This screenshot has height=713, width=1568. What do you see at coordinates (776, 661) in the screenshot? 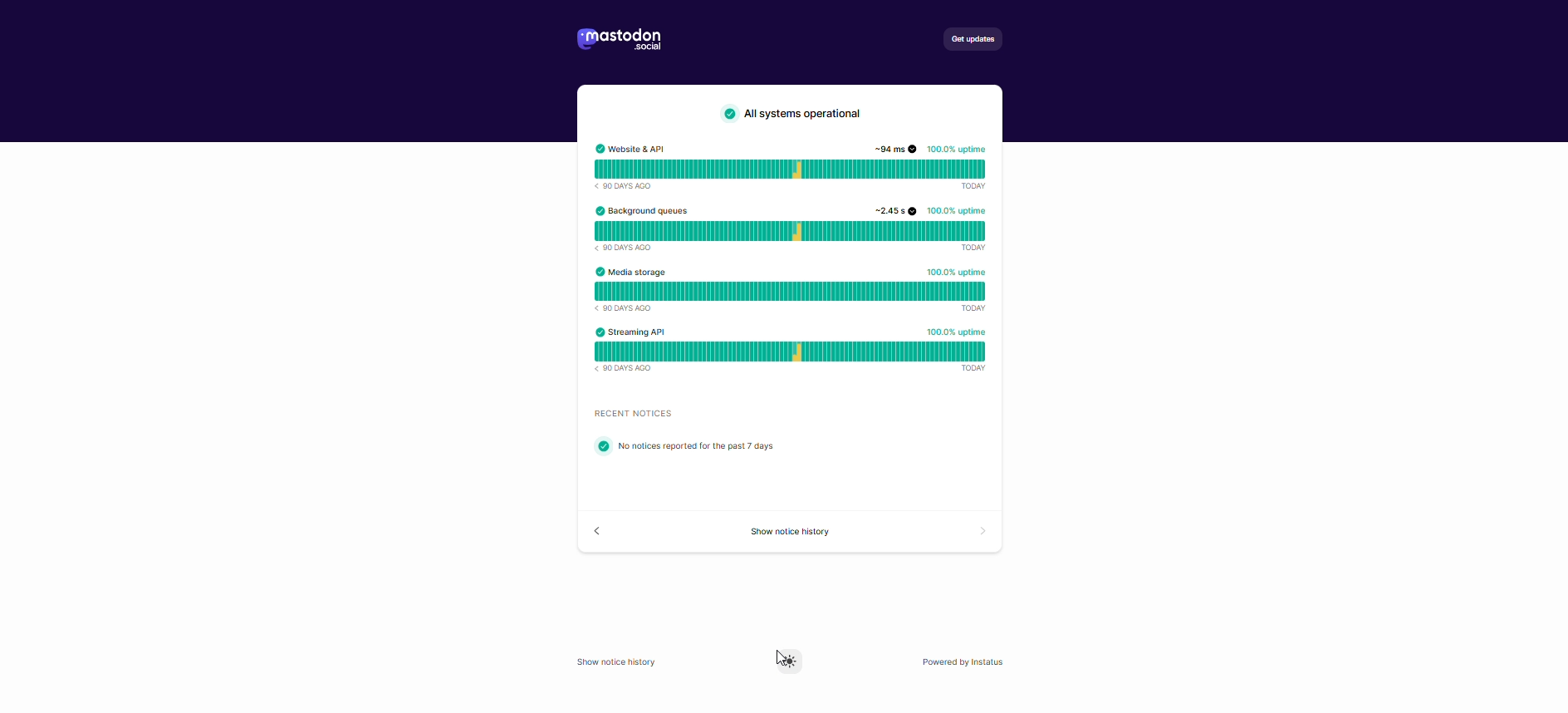
I see `cursor` at bounding box center [776, 661].